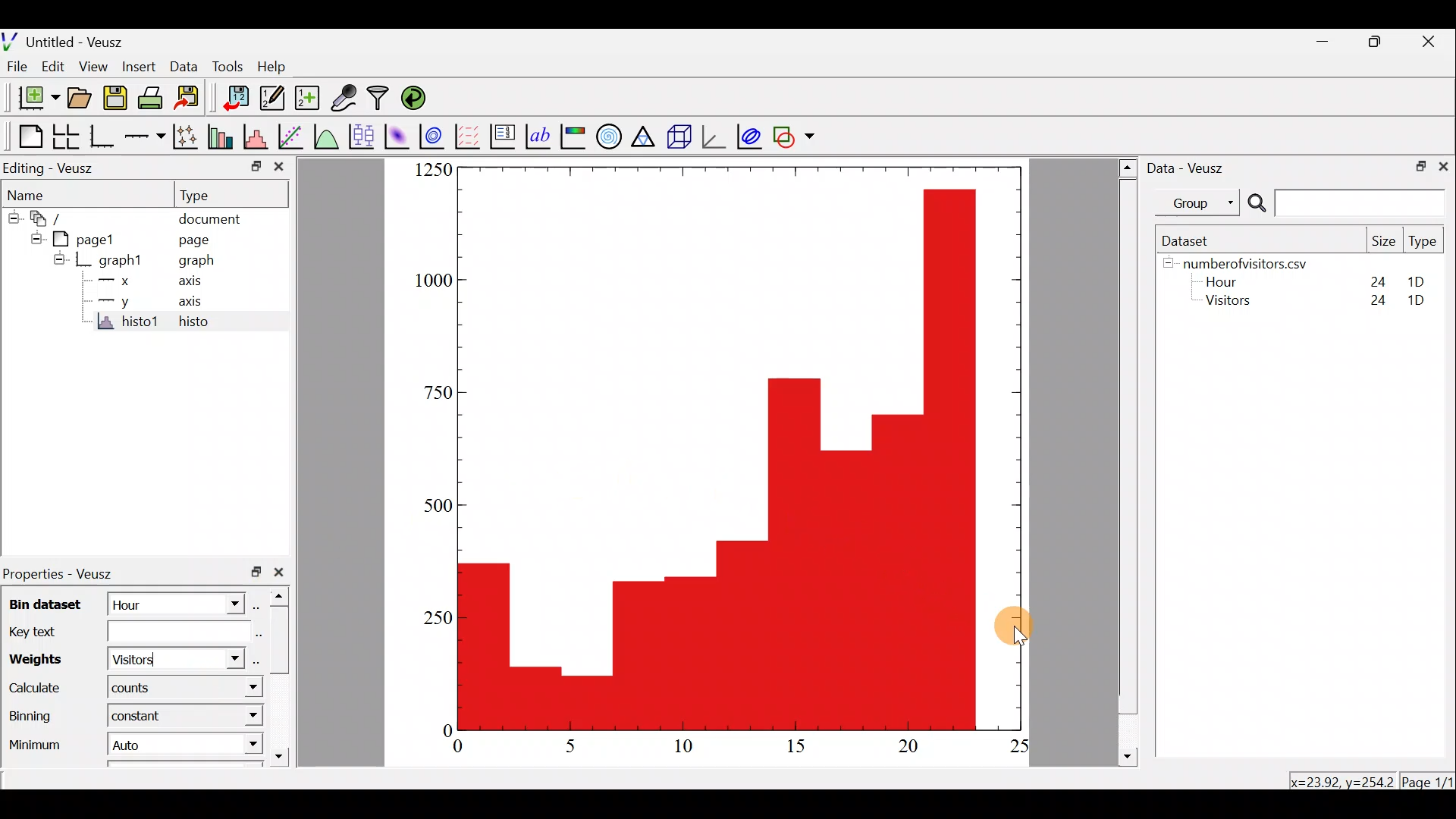 Image resolution: width=1456 pixels, height=819 pixels. I want to click on Ternary graph, so click(642, 138).